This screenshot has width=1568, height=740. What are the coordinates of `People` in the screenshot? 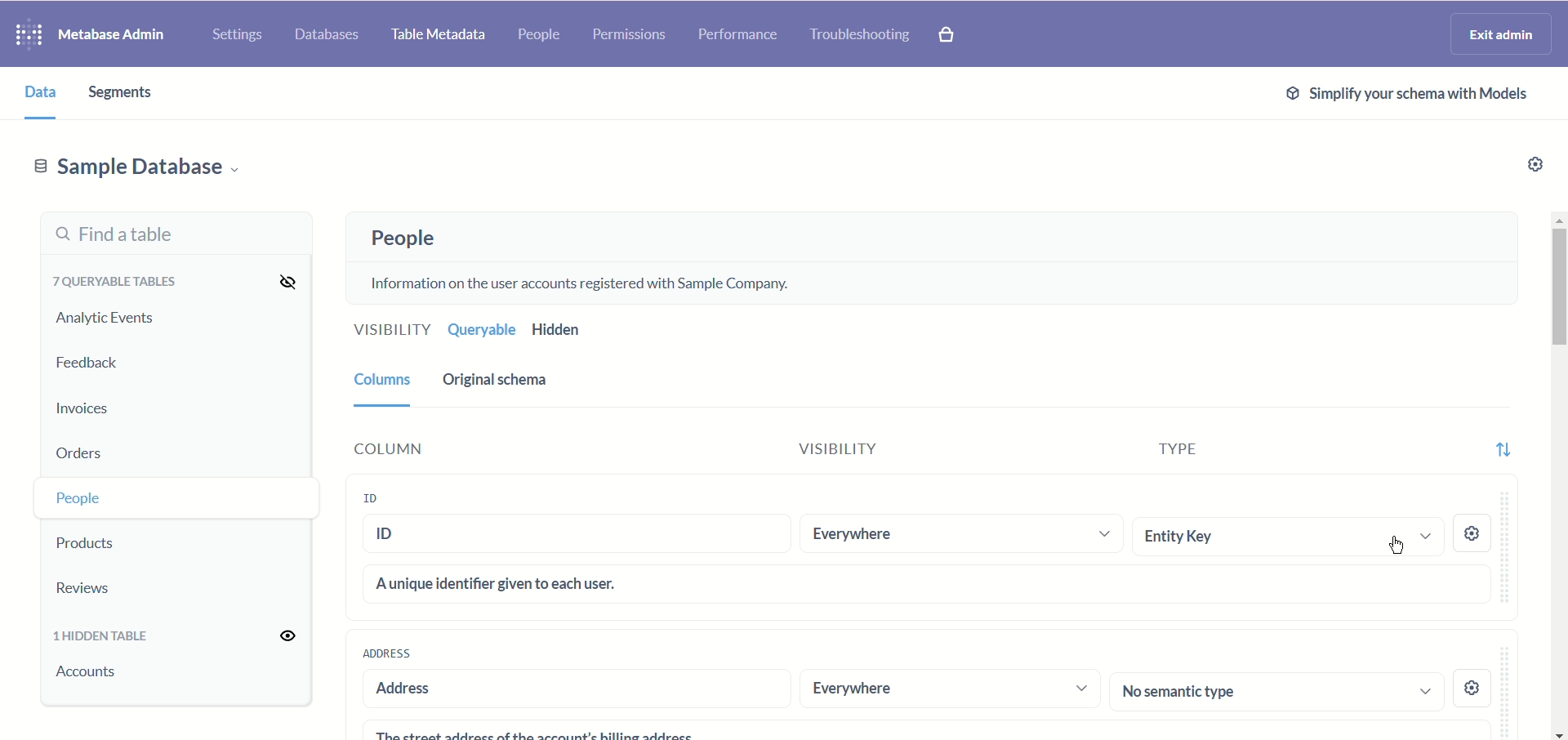 It's located at (398, 238).